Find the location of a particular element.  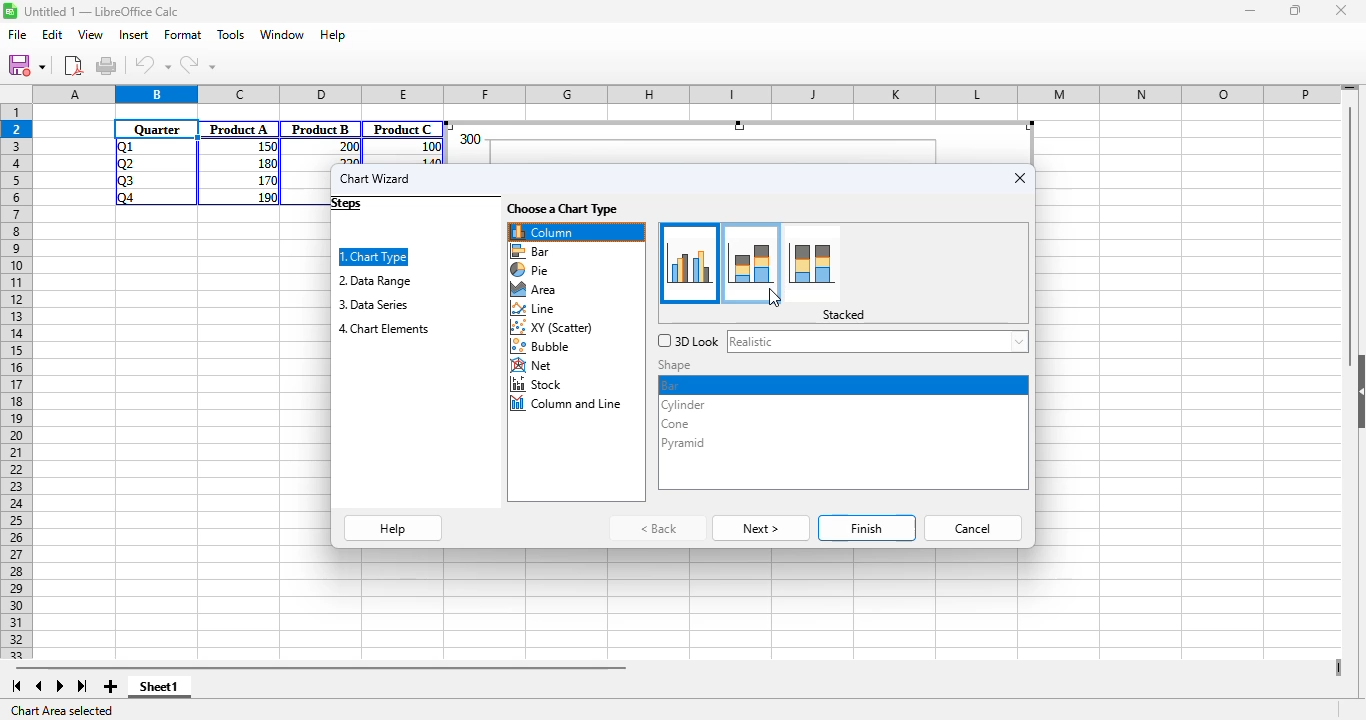

bar is located at coordinates (531, 251).